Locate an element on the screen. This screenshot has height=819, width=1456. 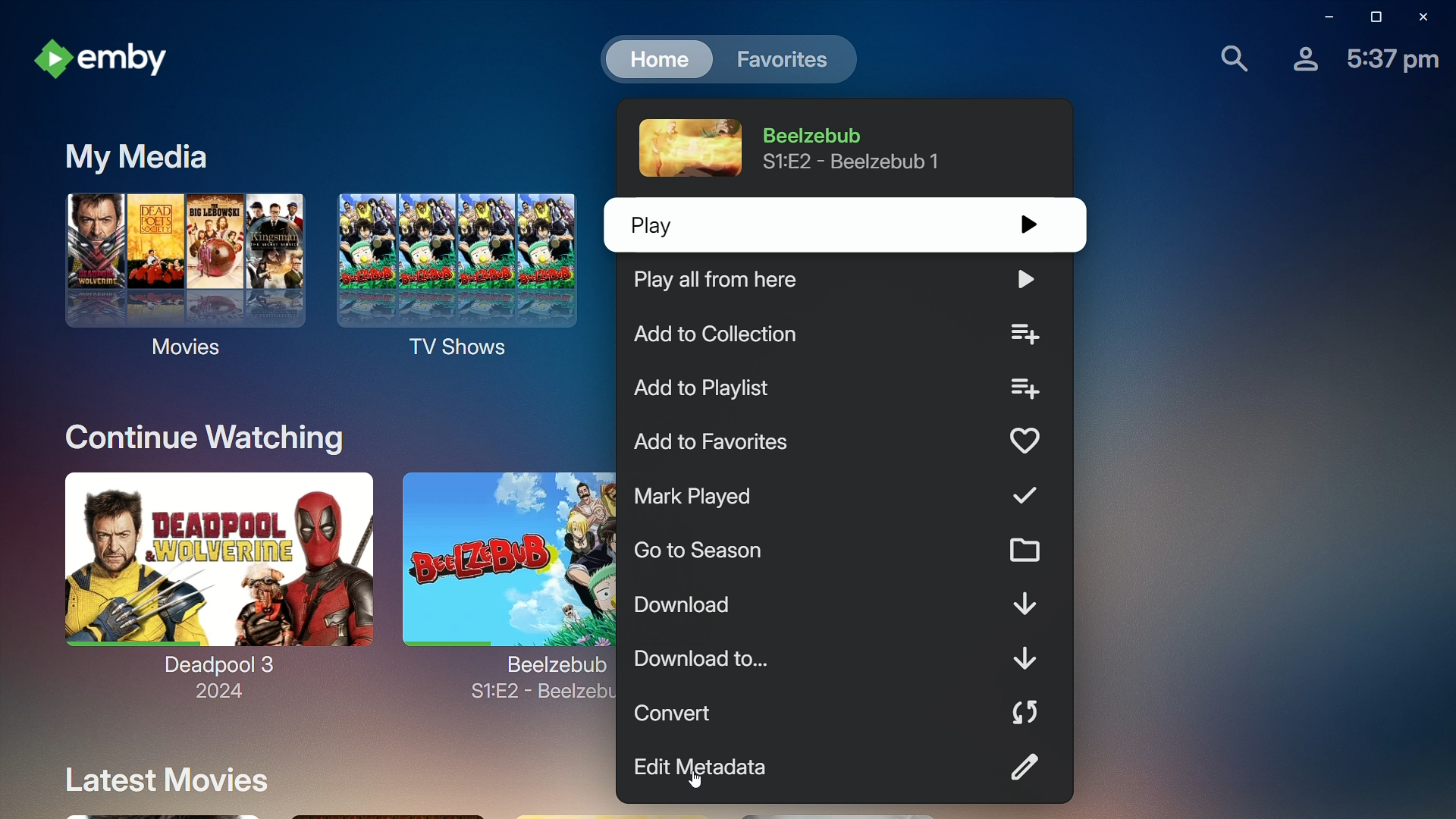
Mark played is located at coordinates (843, 496).